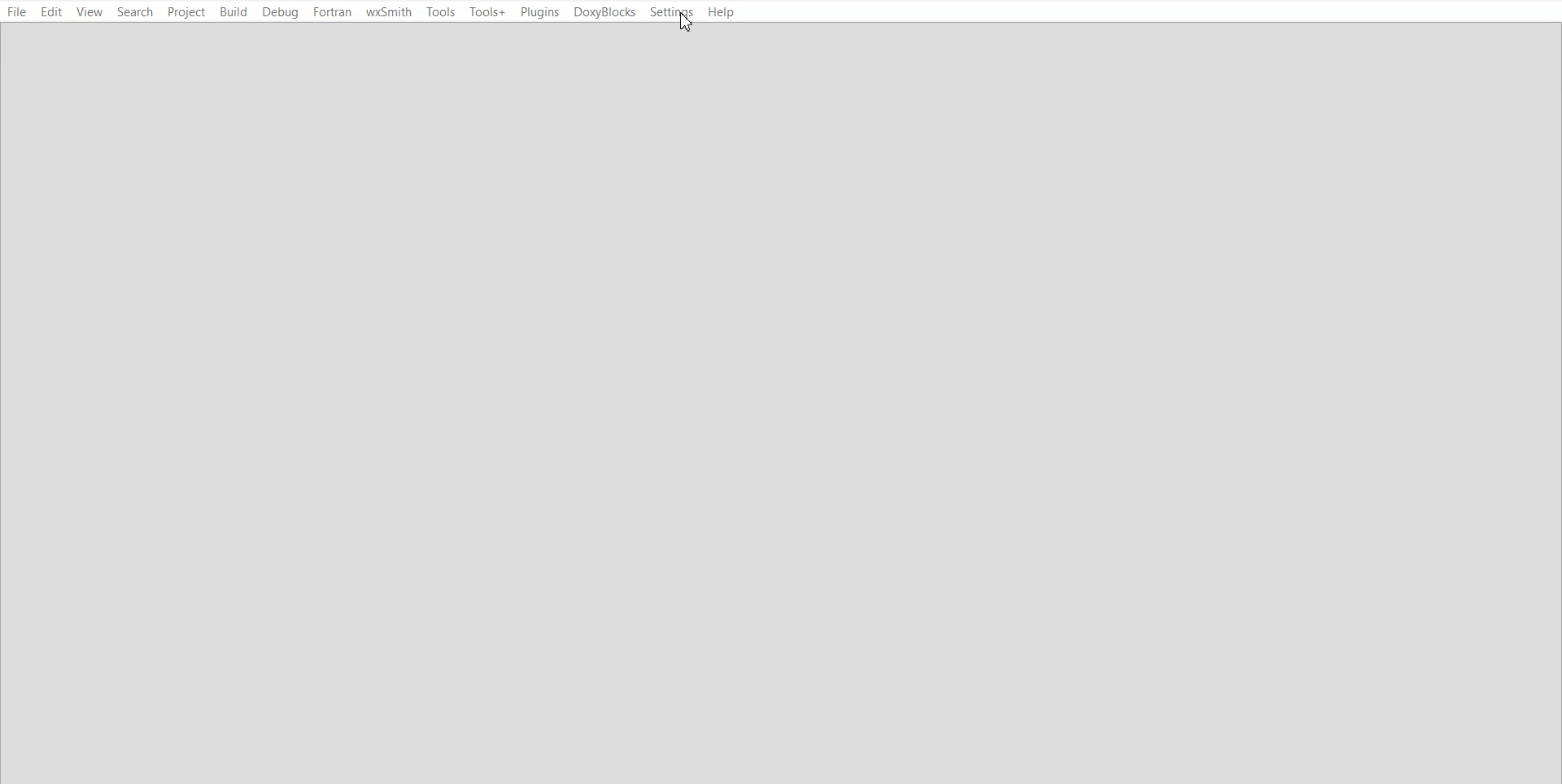  I want to click on Project, so click(187, 12).